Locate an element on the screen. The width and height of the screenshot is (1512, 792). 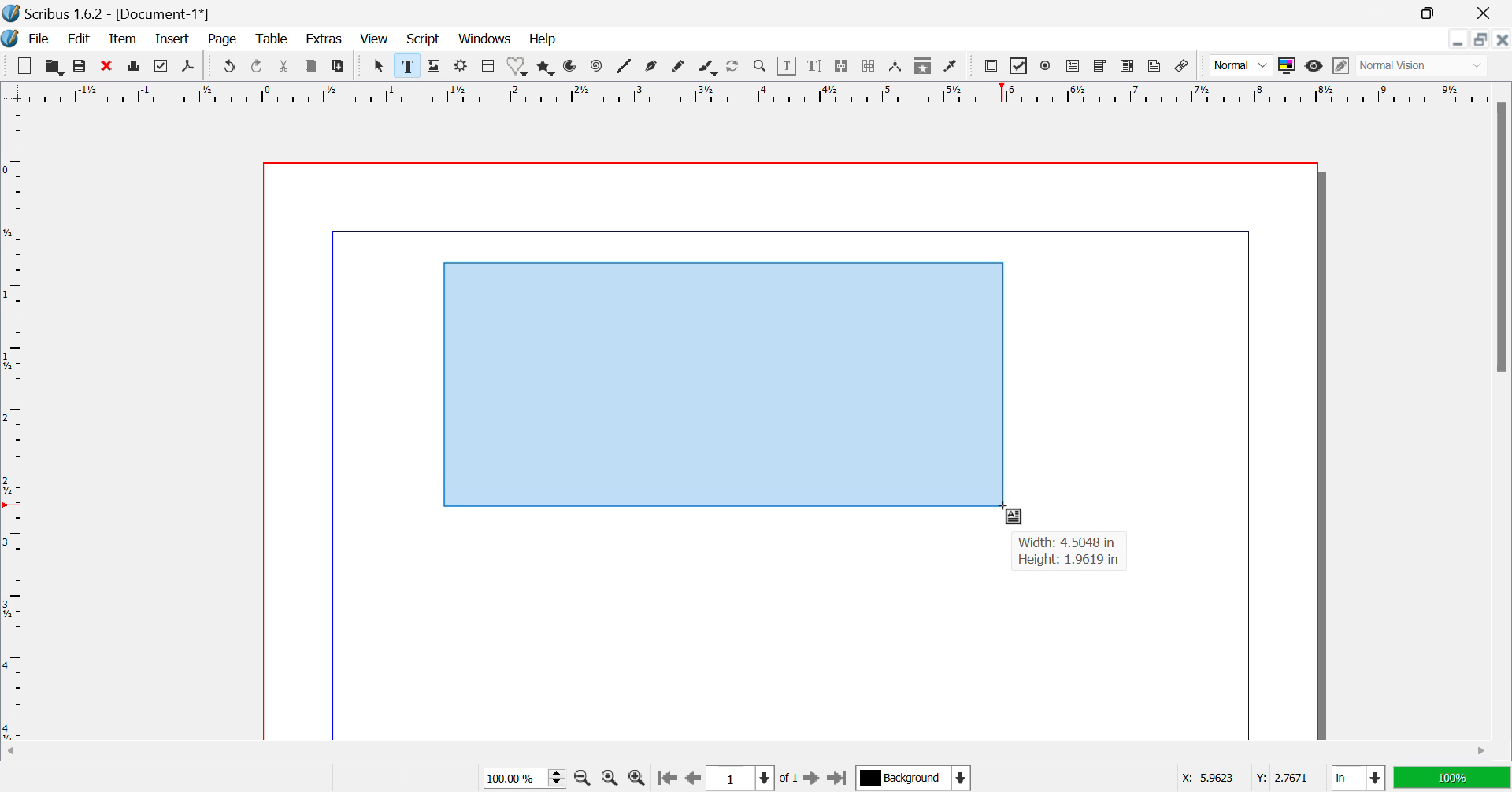
Zoom Out is located at coordinates (584, 779).